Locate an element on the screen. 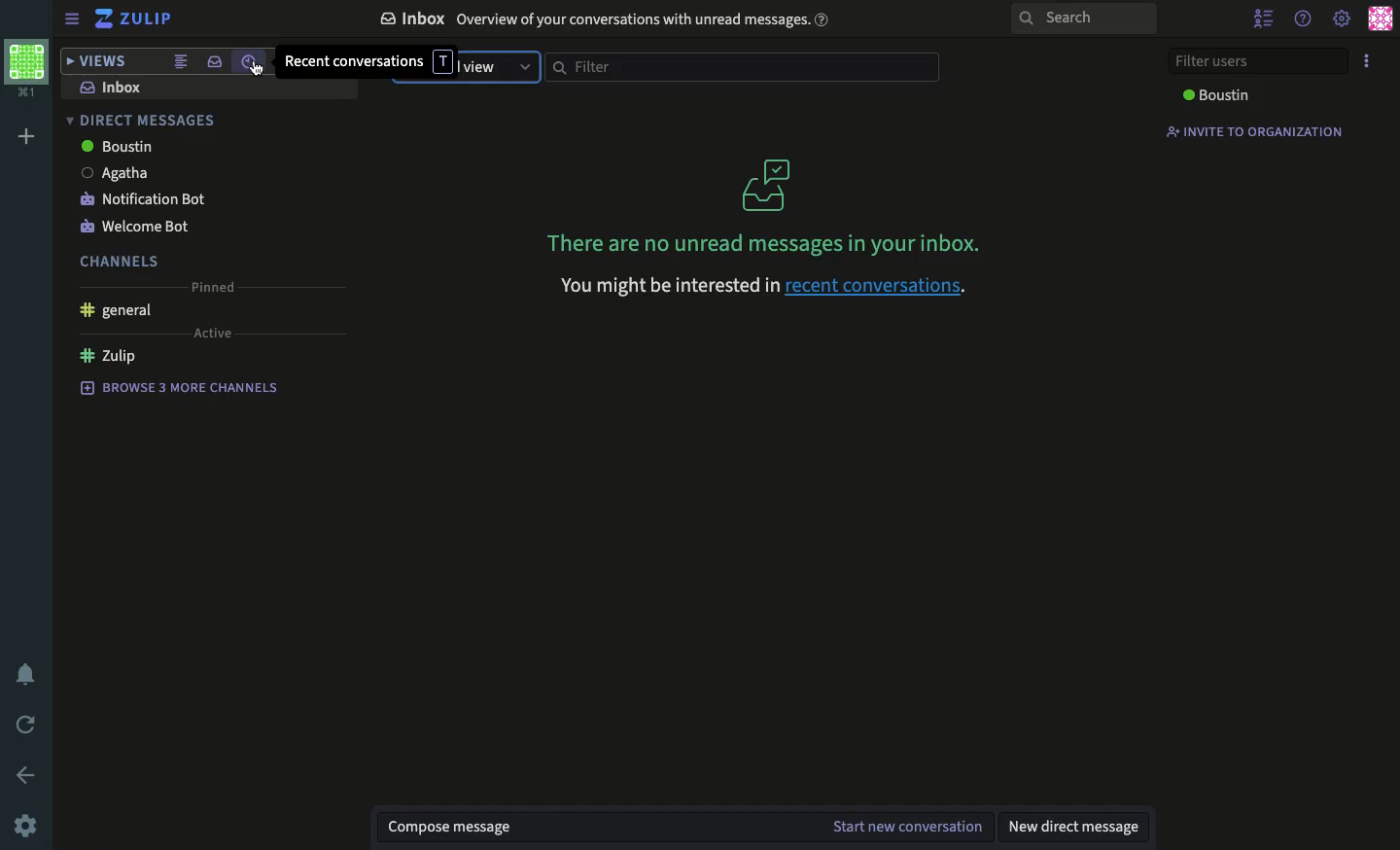 Image resolution: width=1400 pixels, height=850 pixels. channels is located at coordinates (111, 260).